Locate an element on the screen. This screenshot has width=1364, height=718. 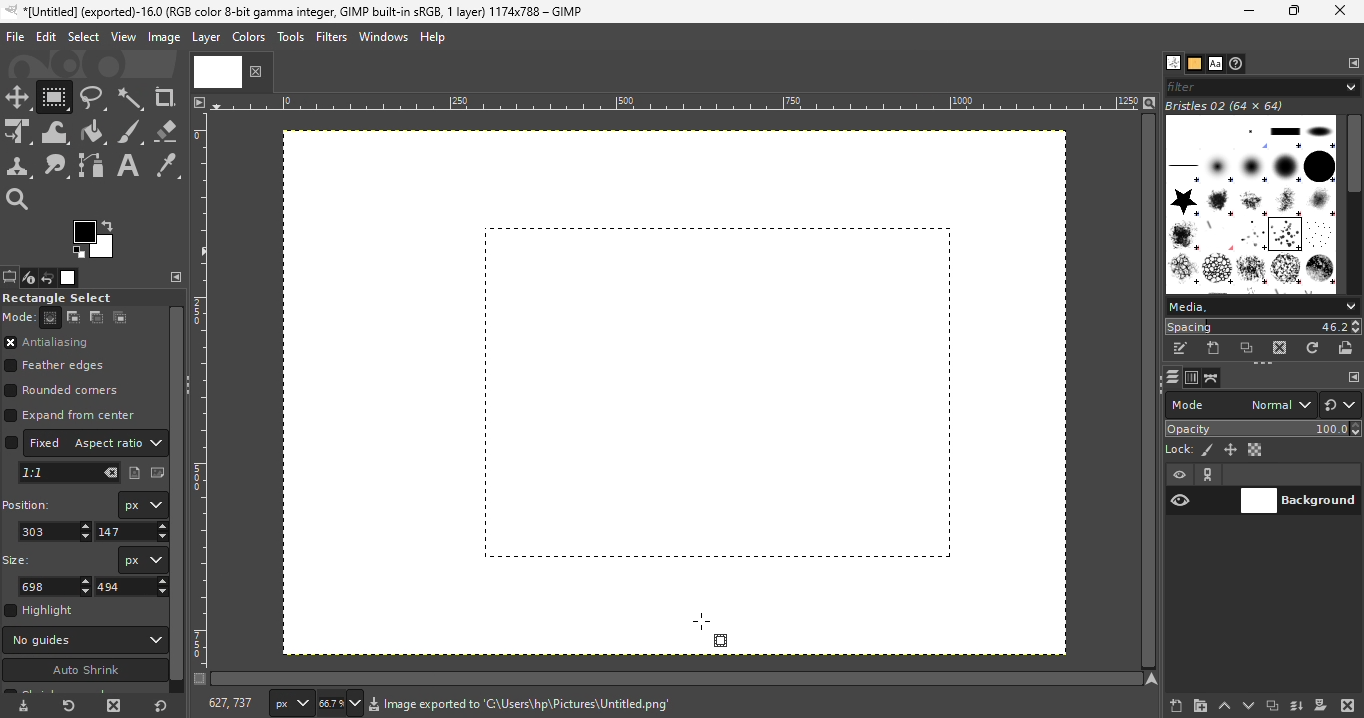
Reset to default values is located at coordinates (162, 710).